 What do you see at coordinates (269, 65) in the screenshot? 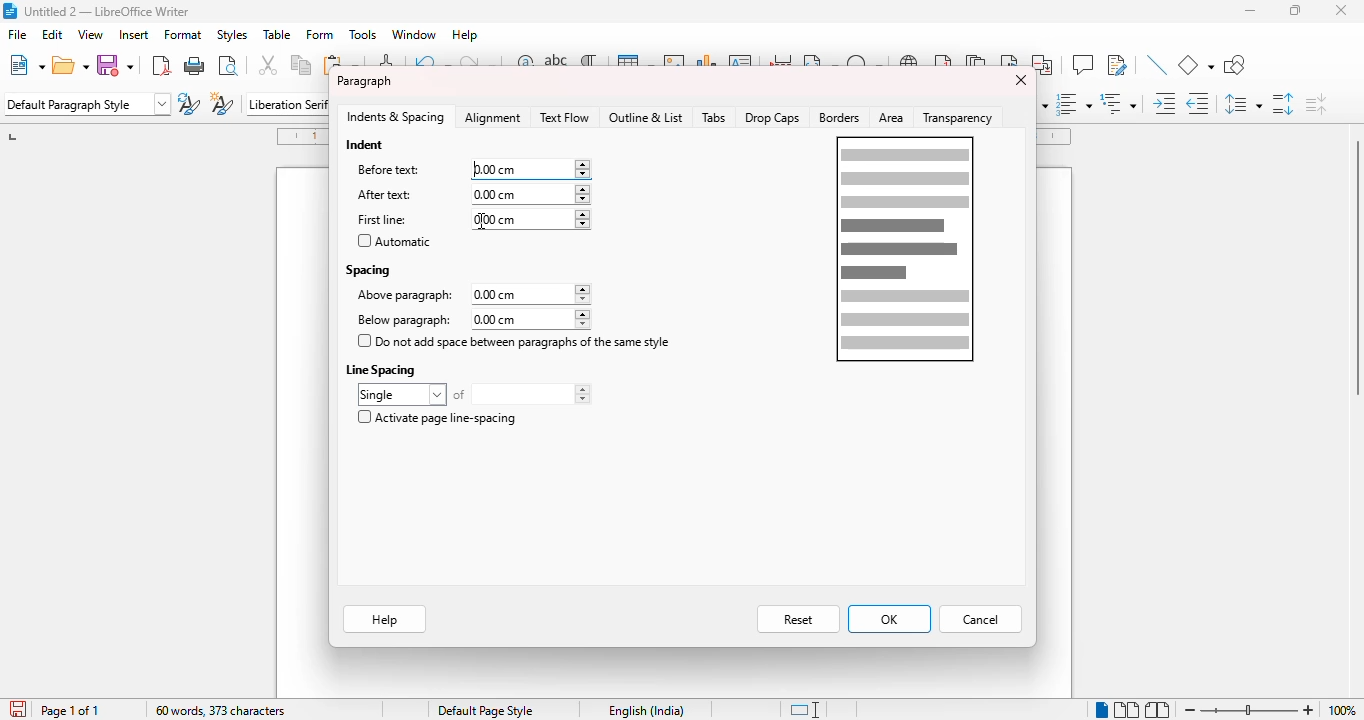
I see `cut` at bounding box center [269, 65].